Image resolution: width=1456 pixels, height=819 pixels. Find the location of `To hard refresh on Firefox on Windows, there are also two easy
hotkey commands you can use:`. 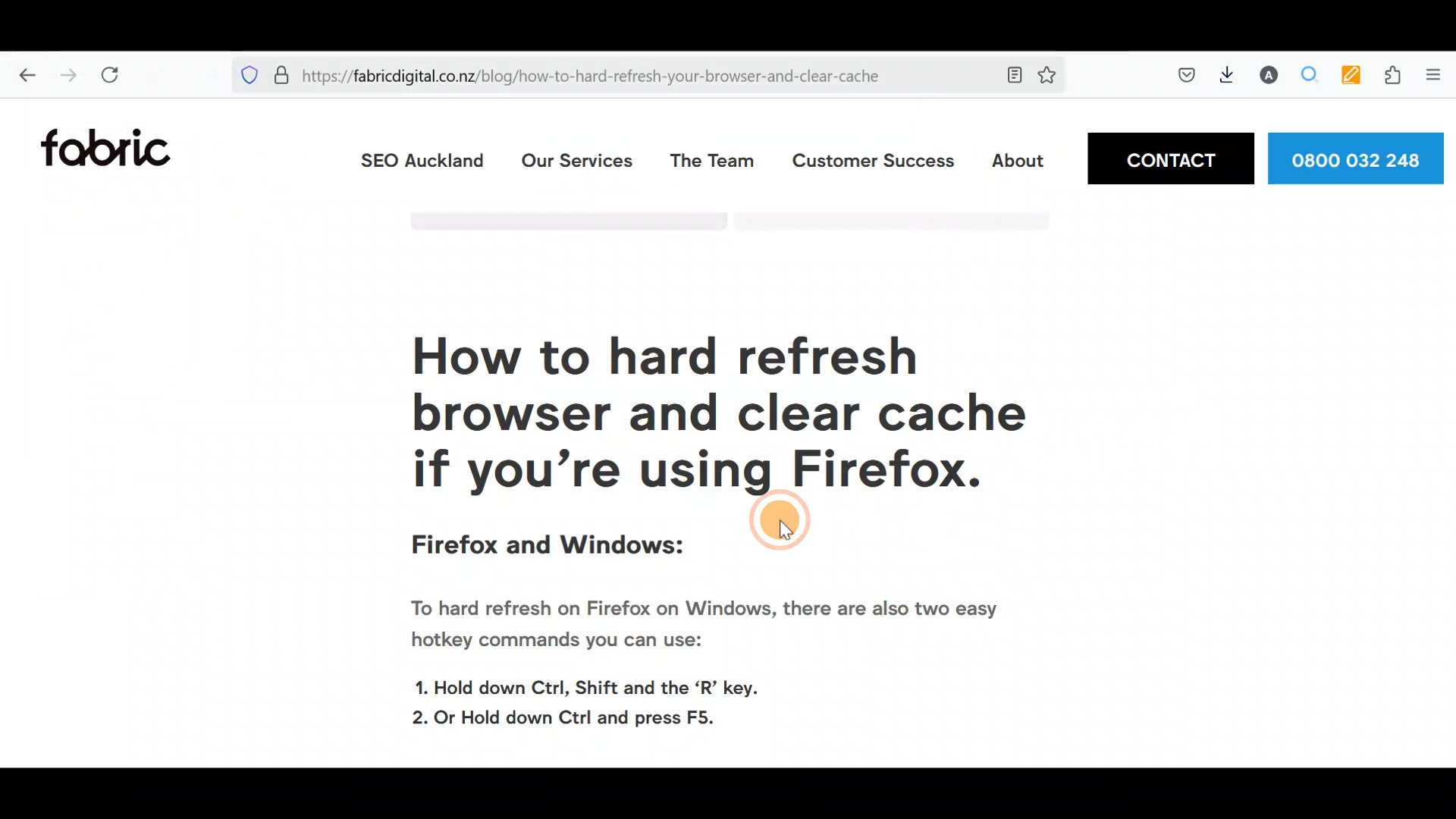

To hard refresh on Firefox on Windows, there are also two easy
hotkey commands you can use: is located at coordinates (701, 628).